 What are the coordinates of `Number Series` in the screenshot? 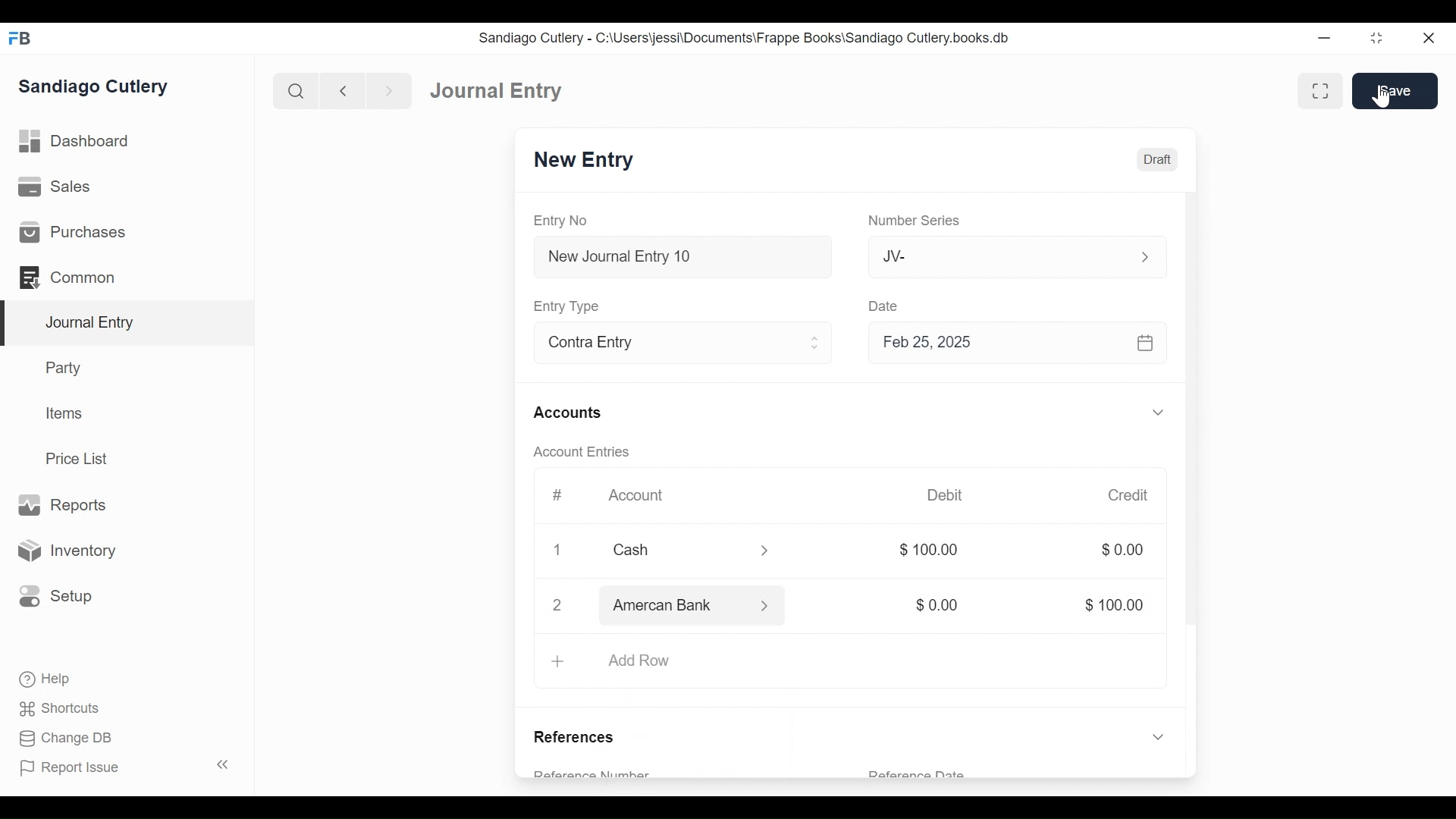 It's located at (917, 221).